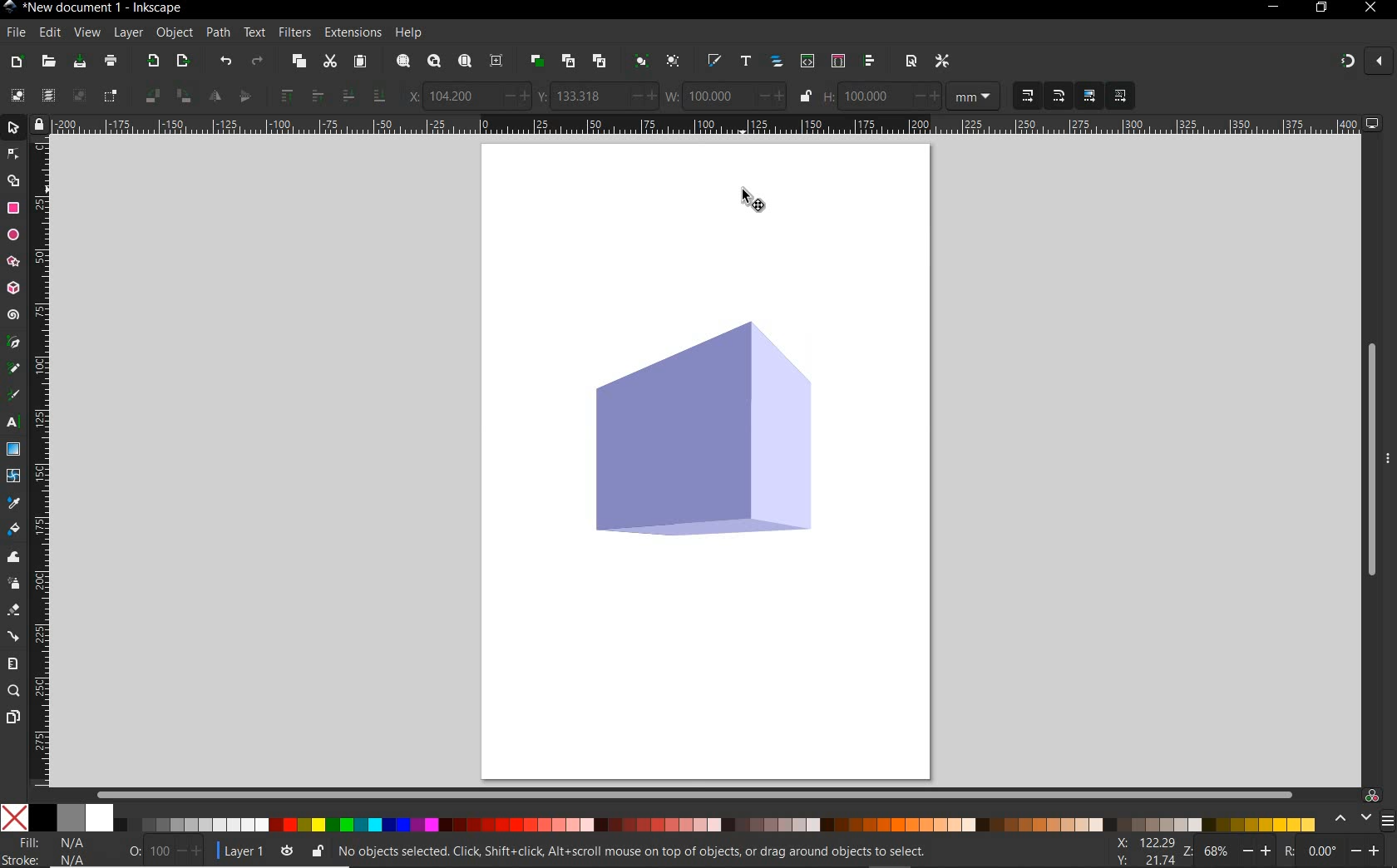  I want to click on node tool, so click(13, 155).